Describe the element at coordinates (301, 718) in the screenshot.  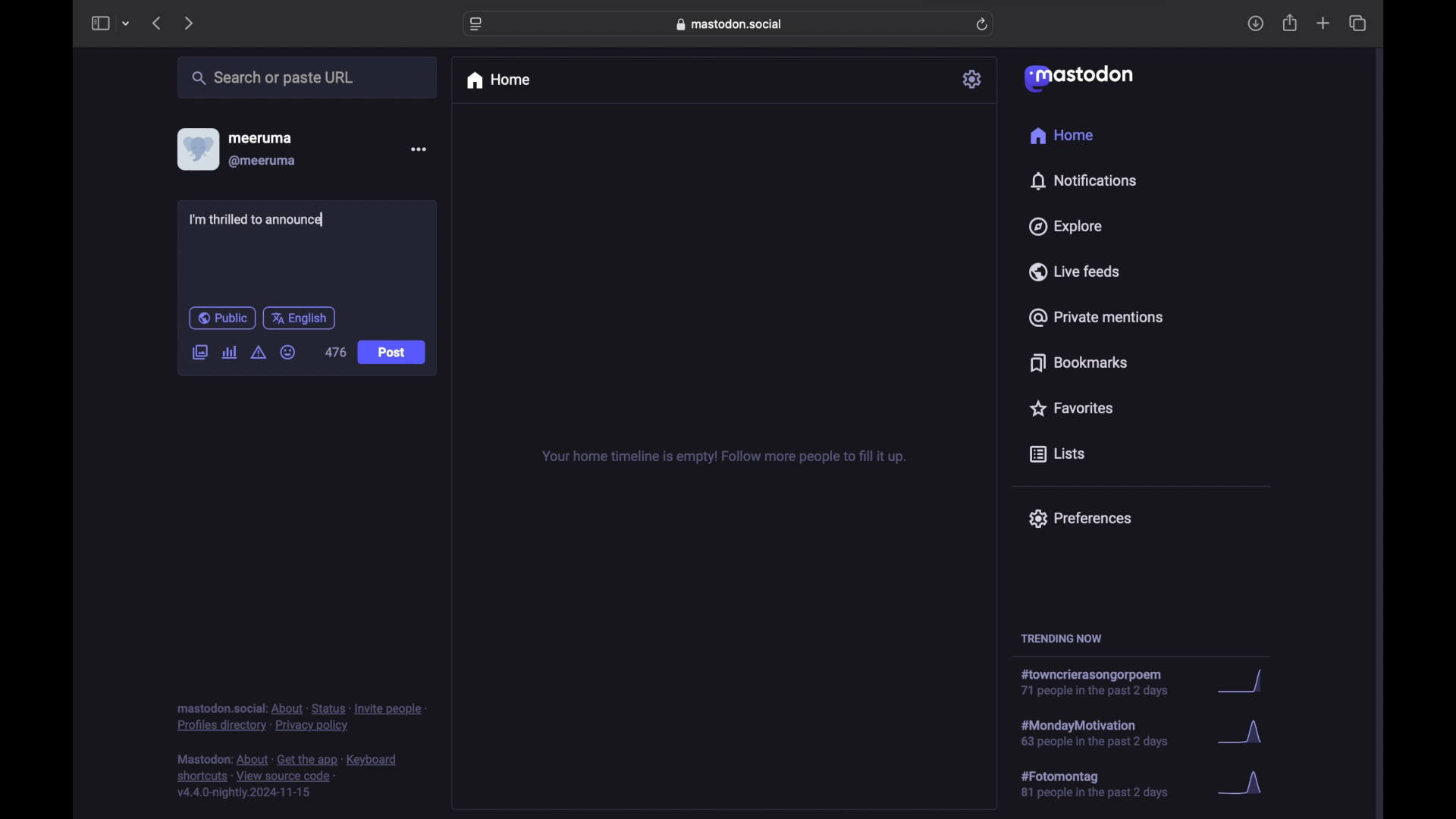
I see `footnote` at that location.